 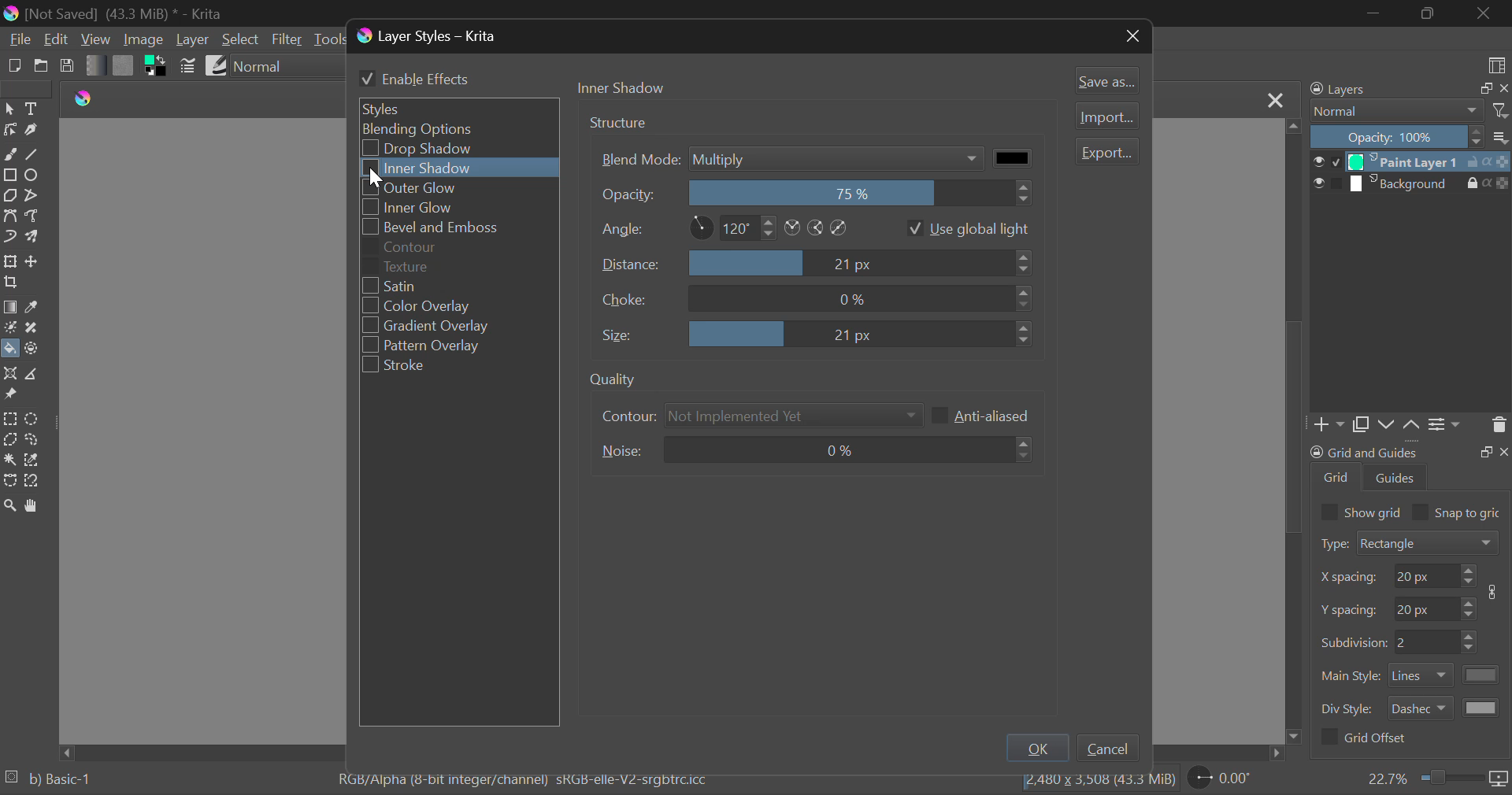 I want to click on Contour, so click(x=758, y=414).